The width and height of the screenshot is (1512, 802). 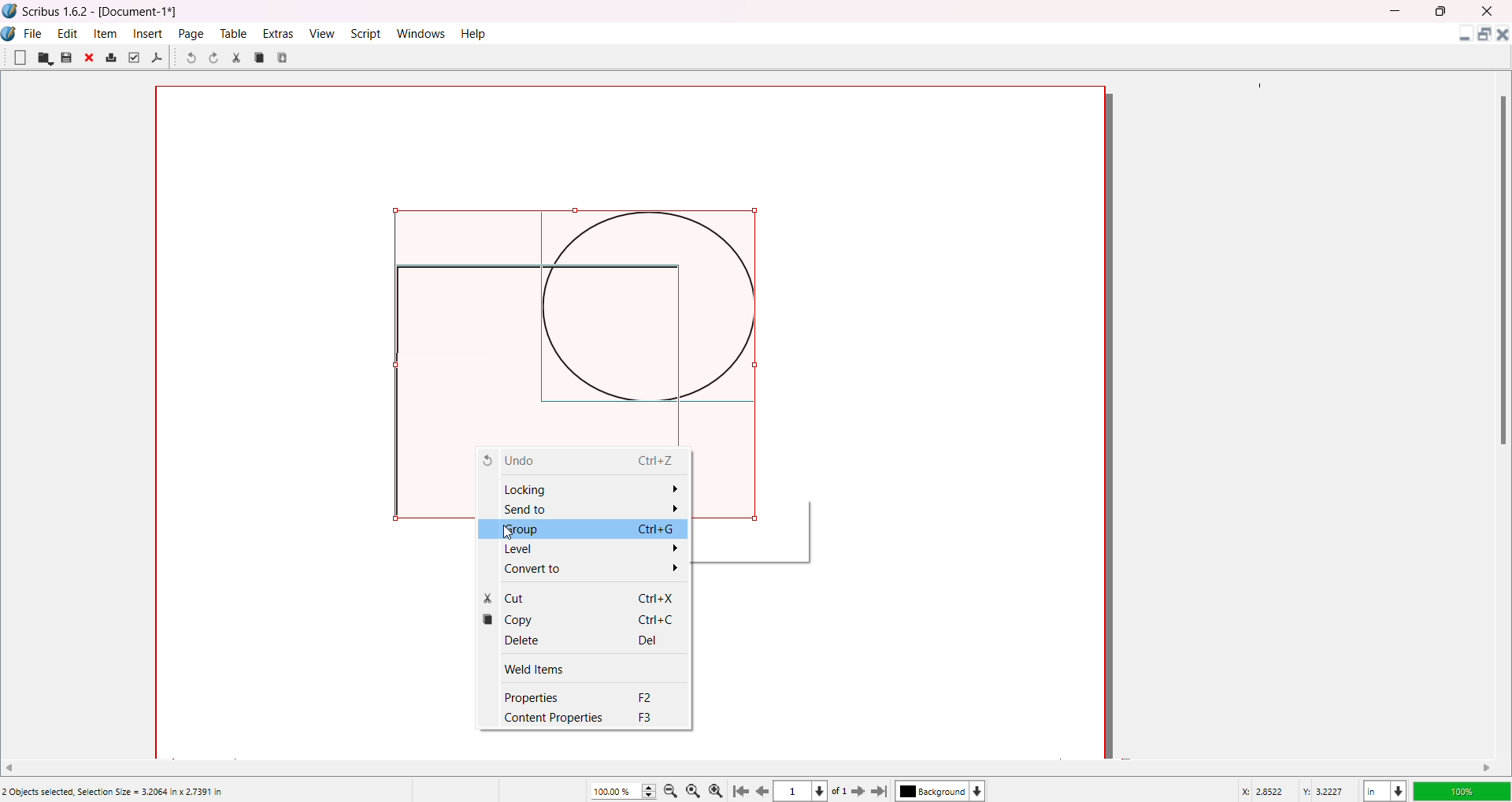 I want to click on Paste, so click(x=284, y=57).